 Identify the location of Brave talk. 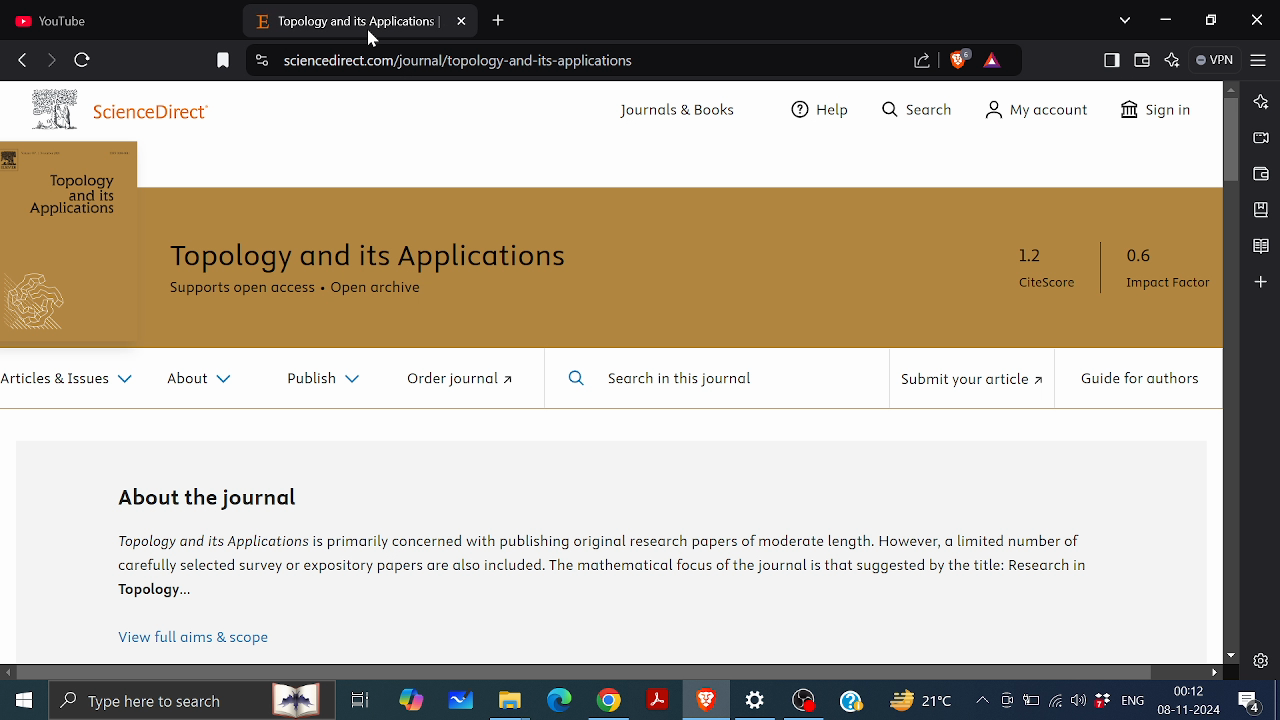
(1259, 137).